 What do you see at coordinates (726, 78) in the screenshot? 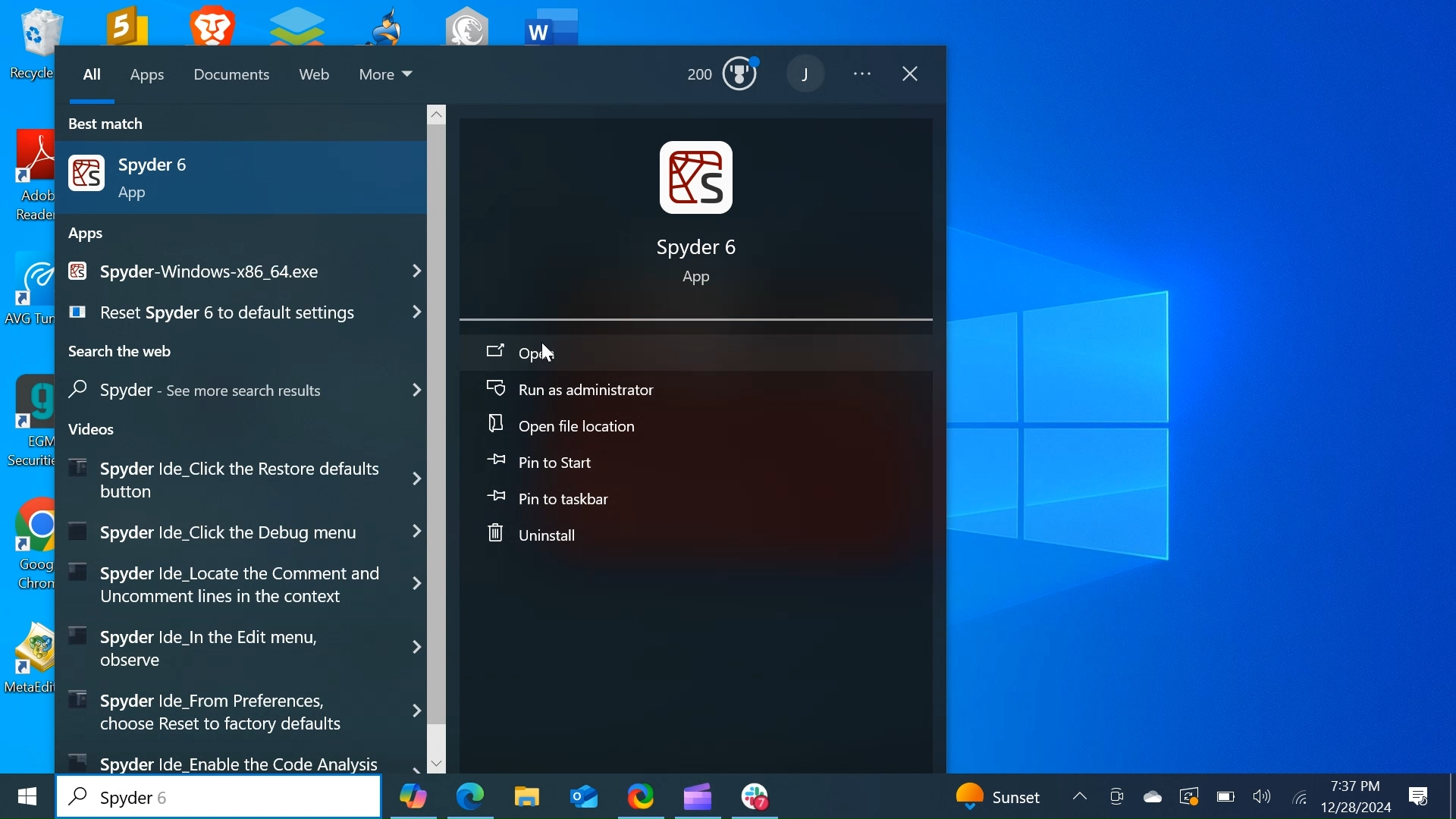
I see `Microsoft Reward` at bounding box center [726, 78].